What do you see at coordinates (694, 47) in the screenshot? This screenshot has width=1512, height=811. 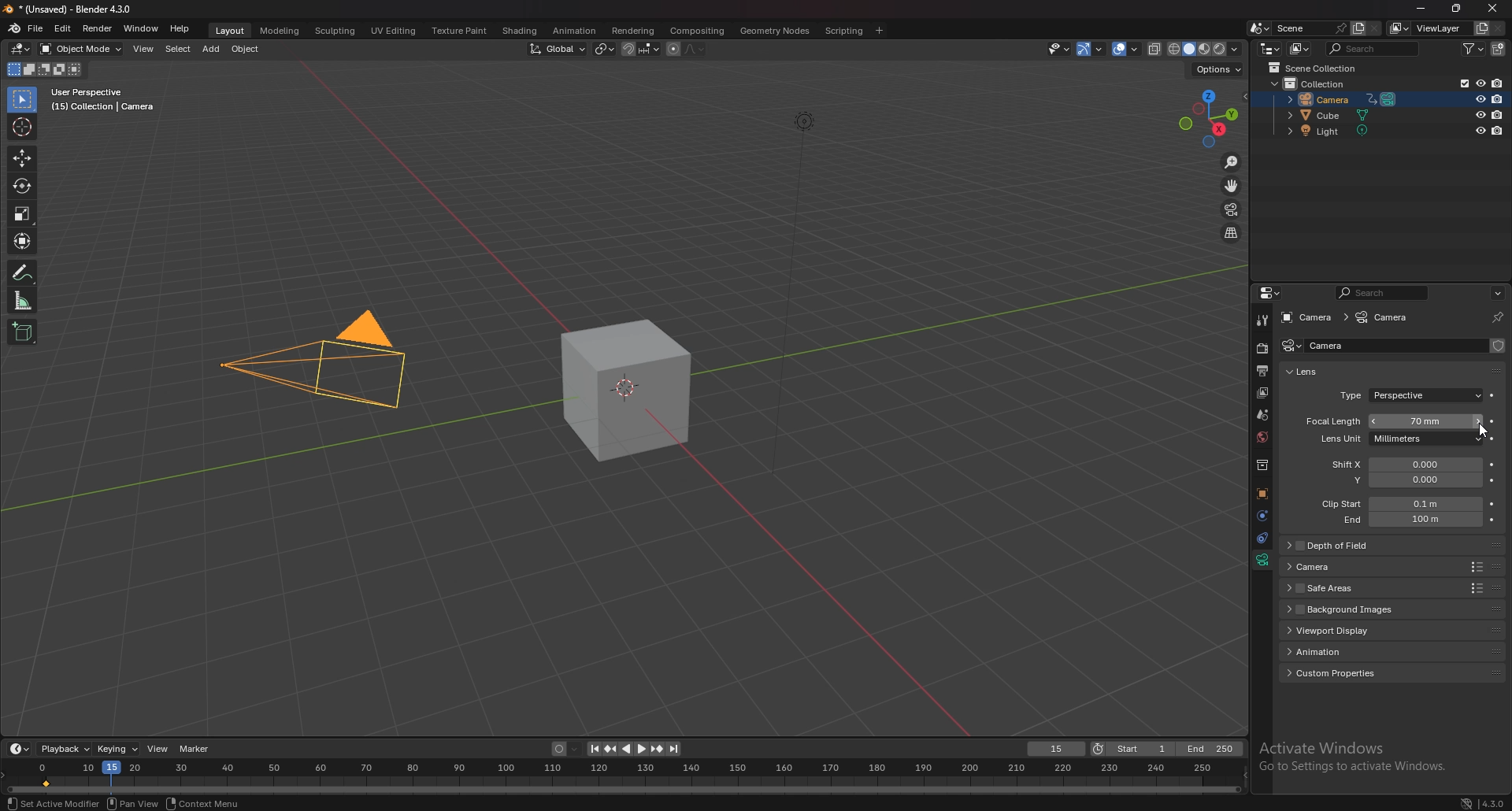 I see `proportional editing falloff` at bounding box center [694, 47].